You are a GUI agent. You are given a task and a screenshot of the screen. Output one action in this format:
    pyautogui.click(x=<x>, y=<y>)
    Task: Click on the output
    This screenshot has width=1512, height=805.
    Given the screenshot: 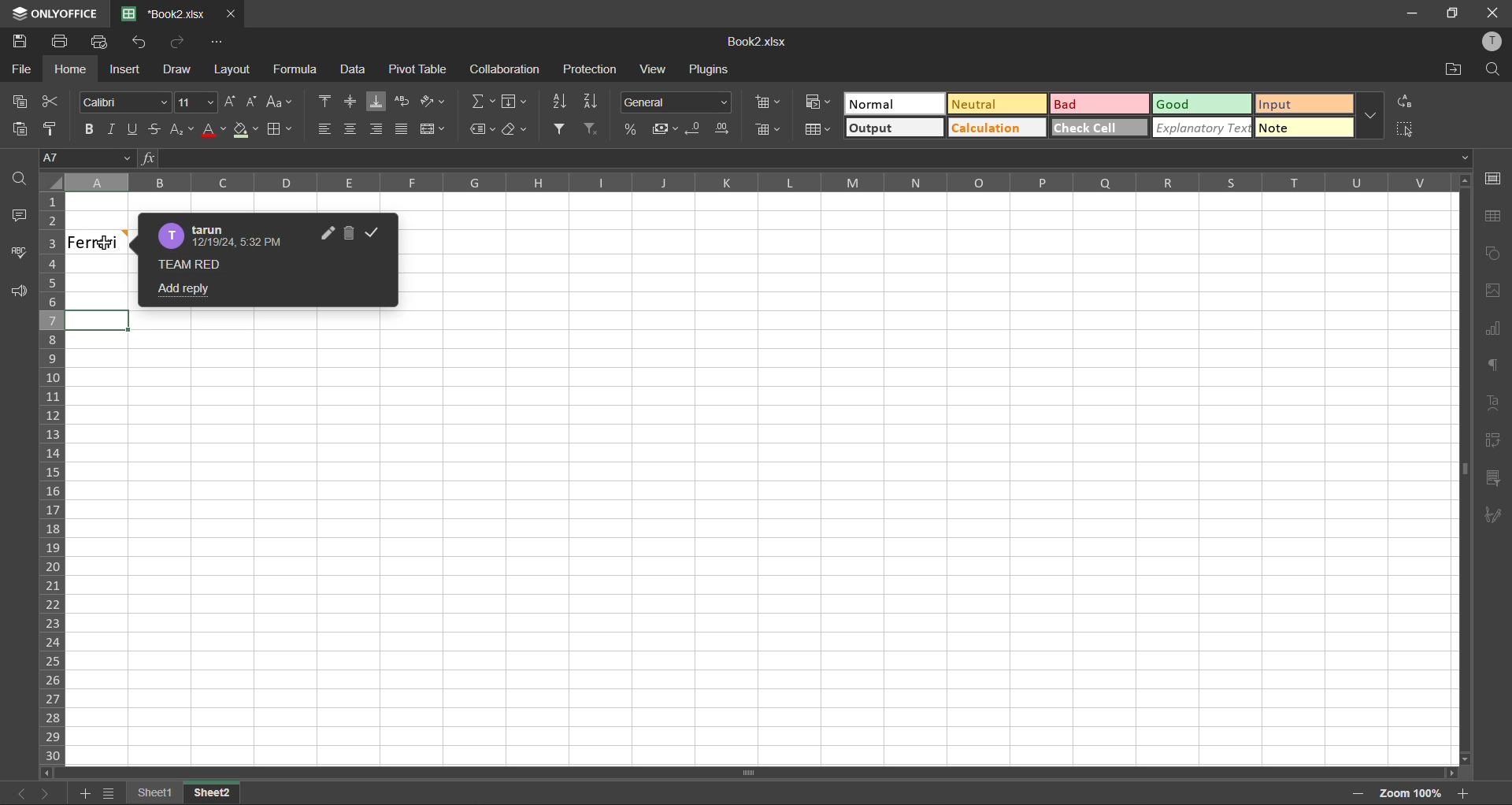 What is the action you would take?
    pyautogui.click(x=895, y=129)
    